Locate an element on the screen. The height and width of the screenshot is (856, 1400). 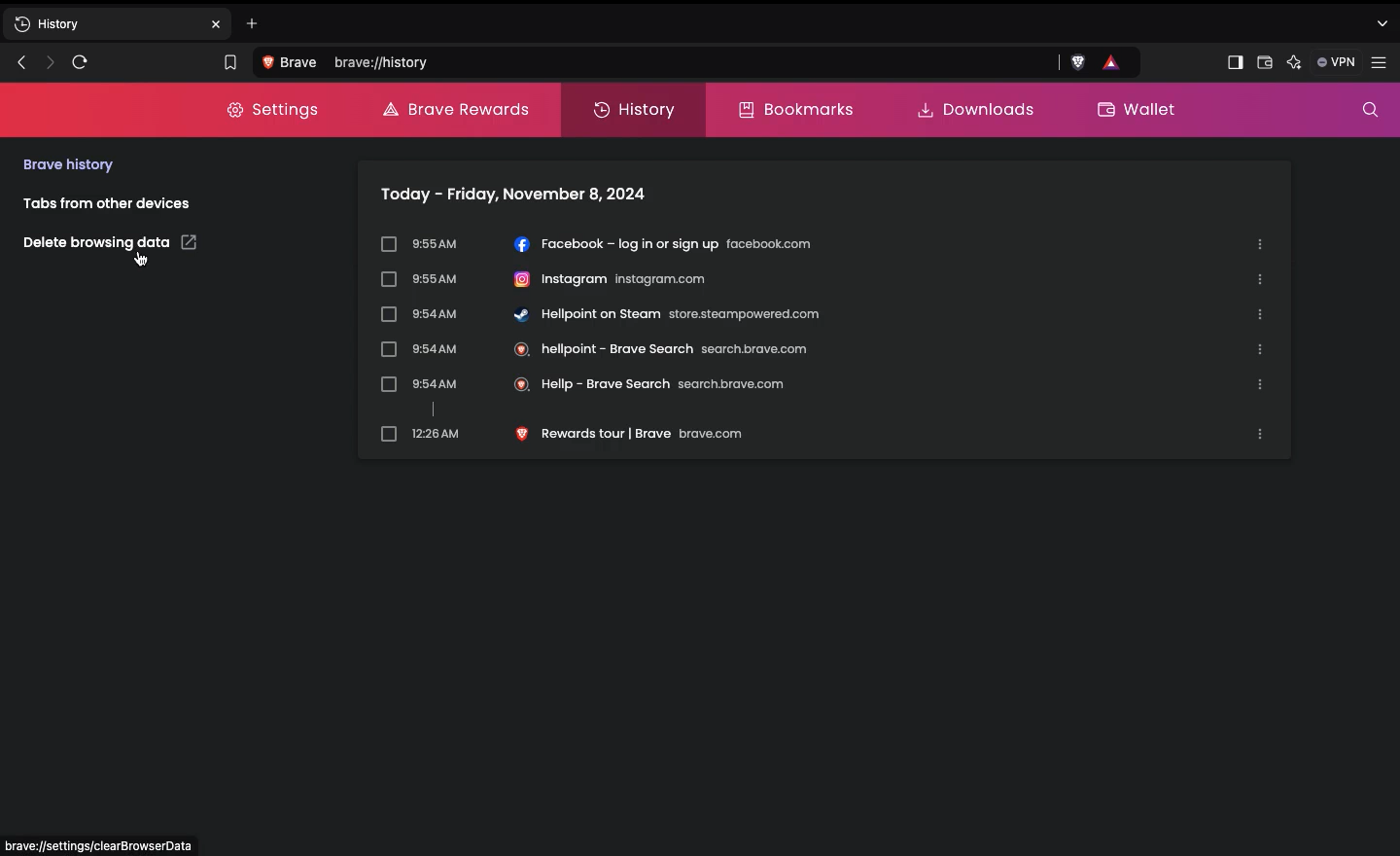
rewards is located at coordinates (1113, 61).